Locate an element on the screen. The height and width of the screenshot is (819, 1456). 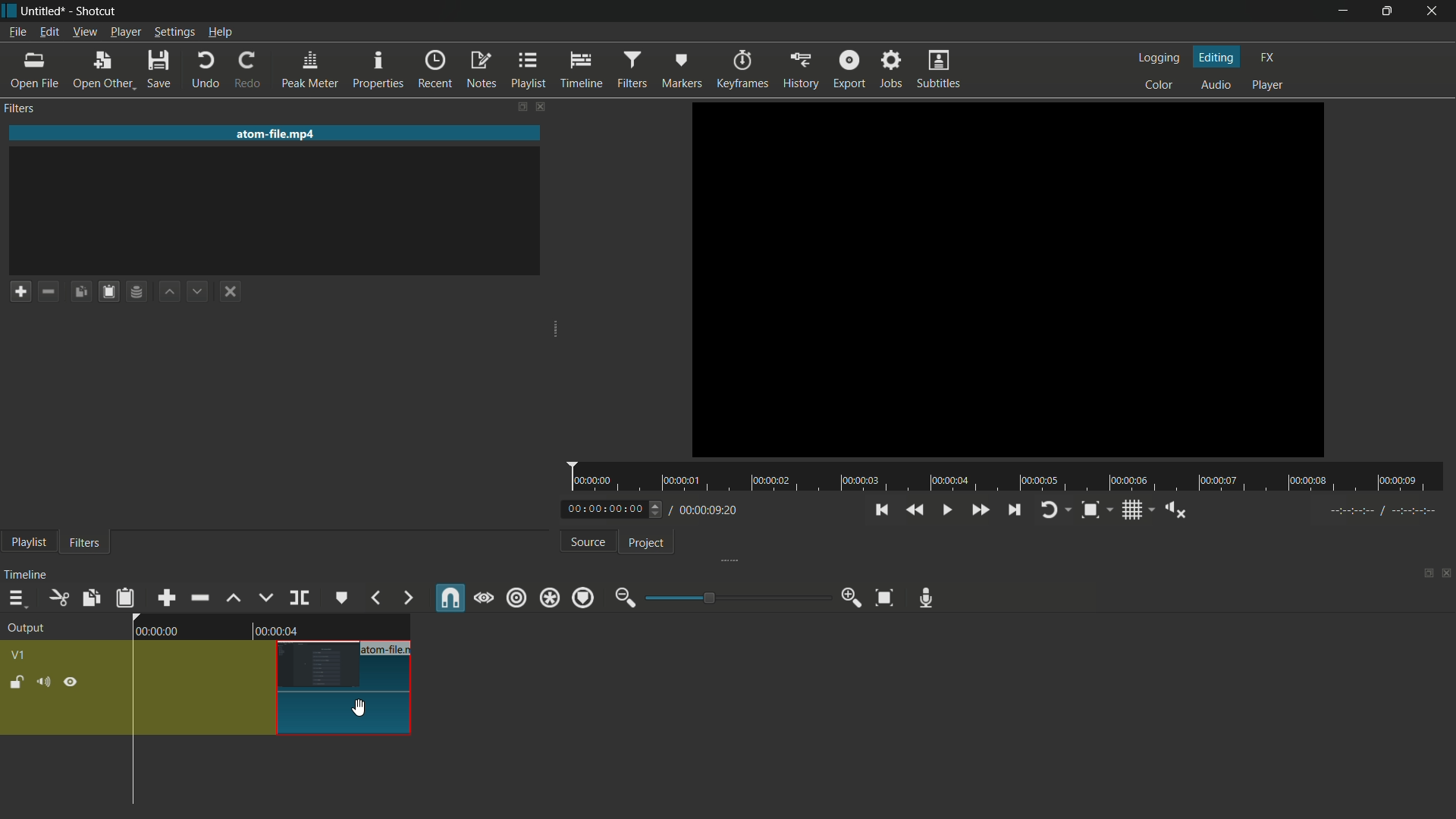
ripple is located at coordinates (516, 598).